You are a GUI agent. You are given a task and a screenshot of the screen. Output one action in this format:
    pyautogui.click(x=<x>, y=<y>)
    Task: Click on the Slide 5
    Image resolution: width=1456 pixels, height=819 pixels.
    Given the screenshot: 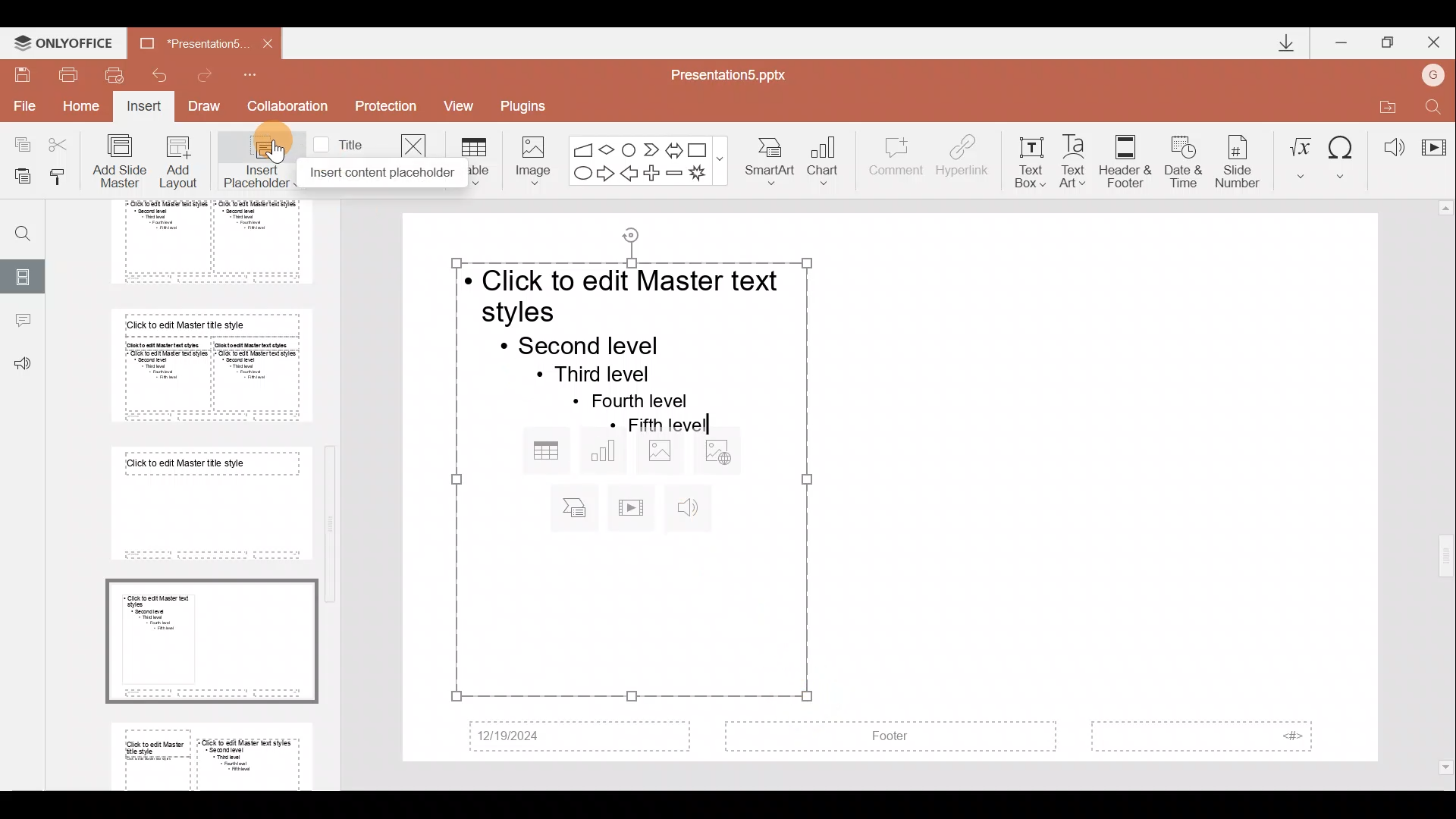 What is the action you would take?
    pyautogui.click(x=201, y=242)
    